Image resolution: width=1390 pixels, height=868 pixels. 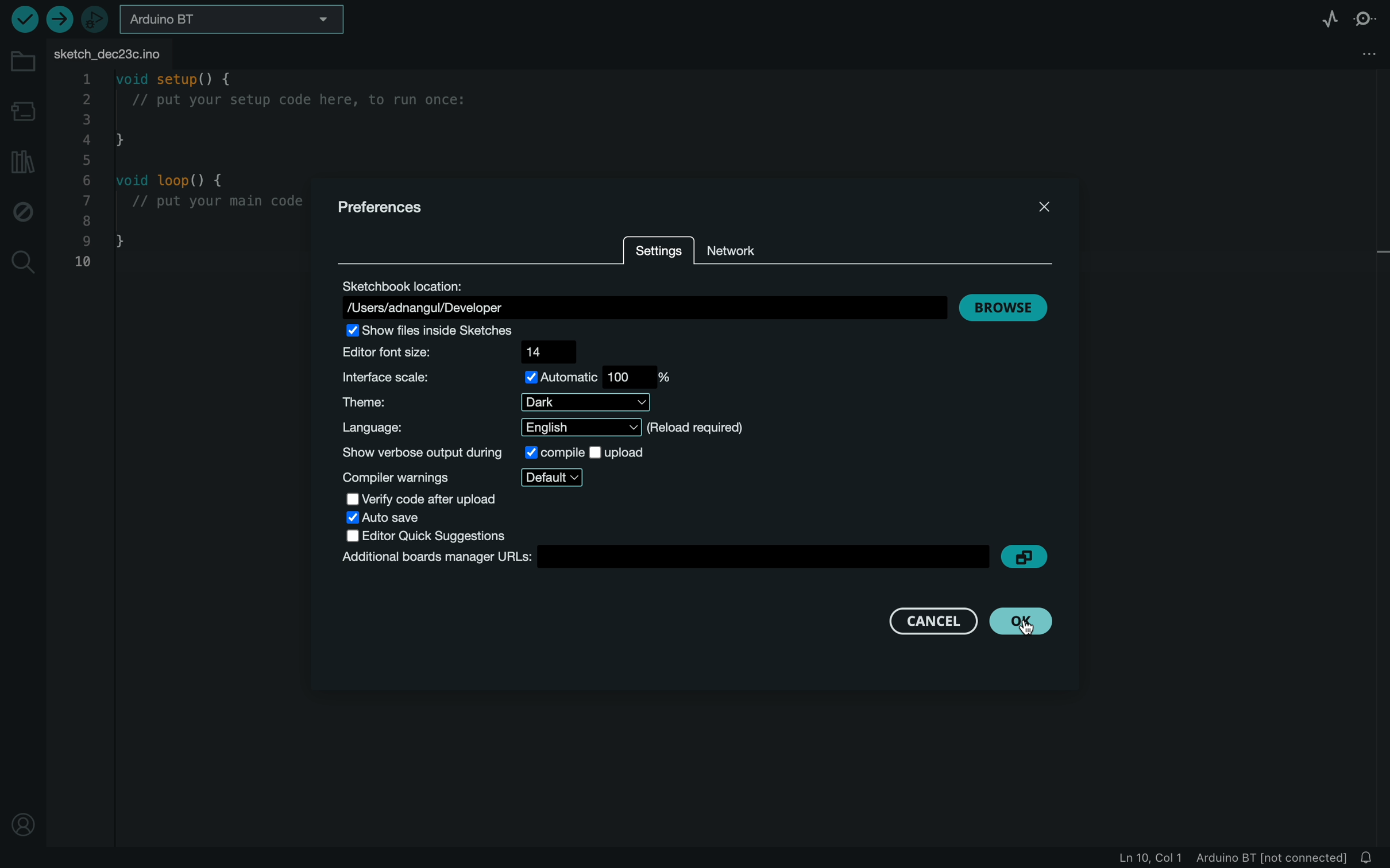 I want to click on settings, so click(x=658, y=253).